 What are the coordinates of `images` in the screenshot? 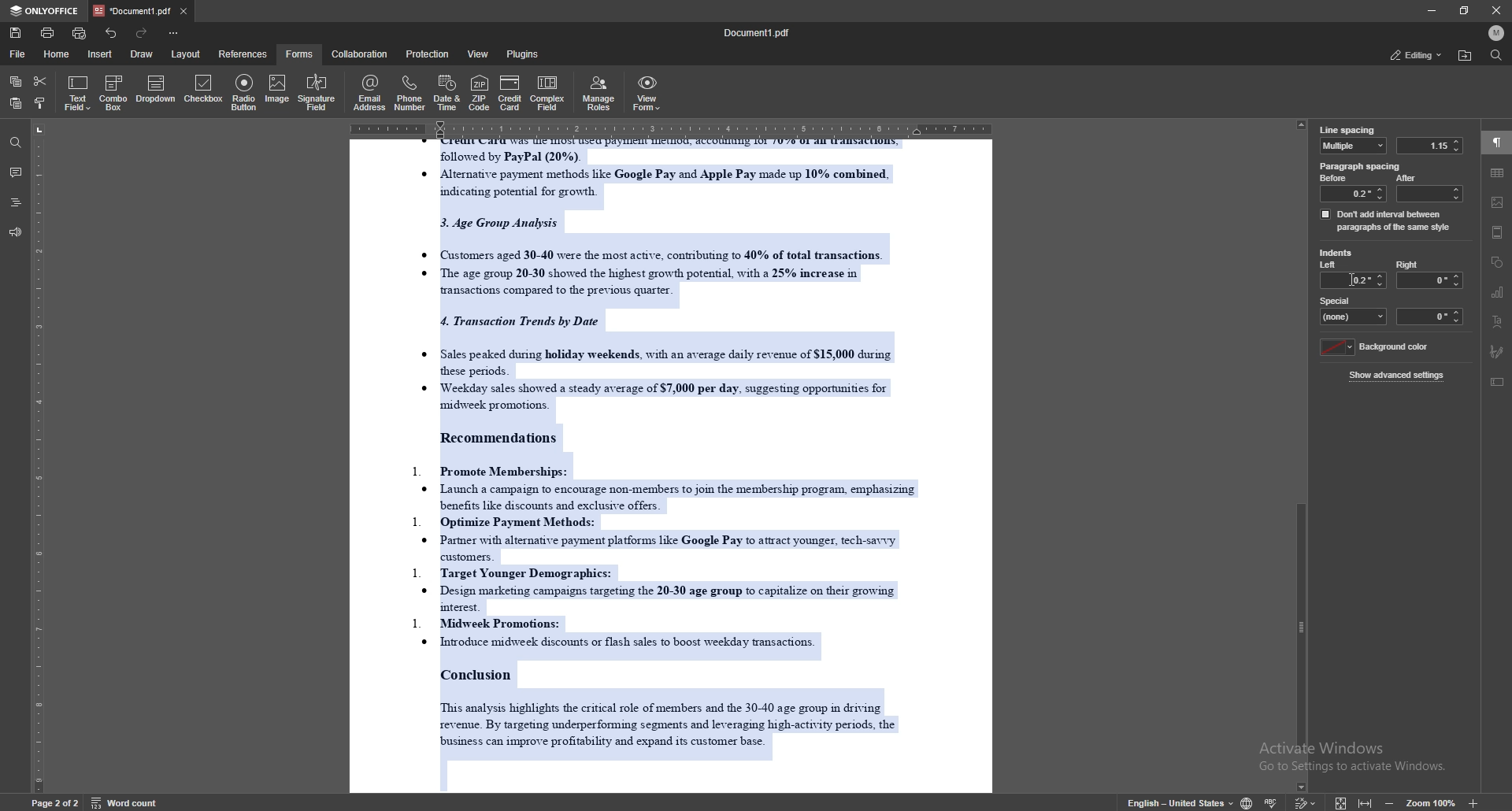 It's located at (1498, 202).